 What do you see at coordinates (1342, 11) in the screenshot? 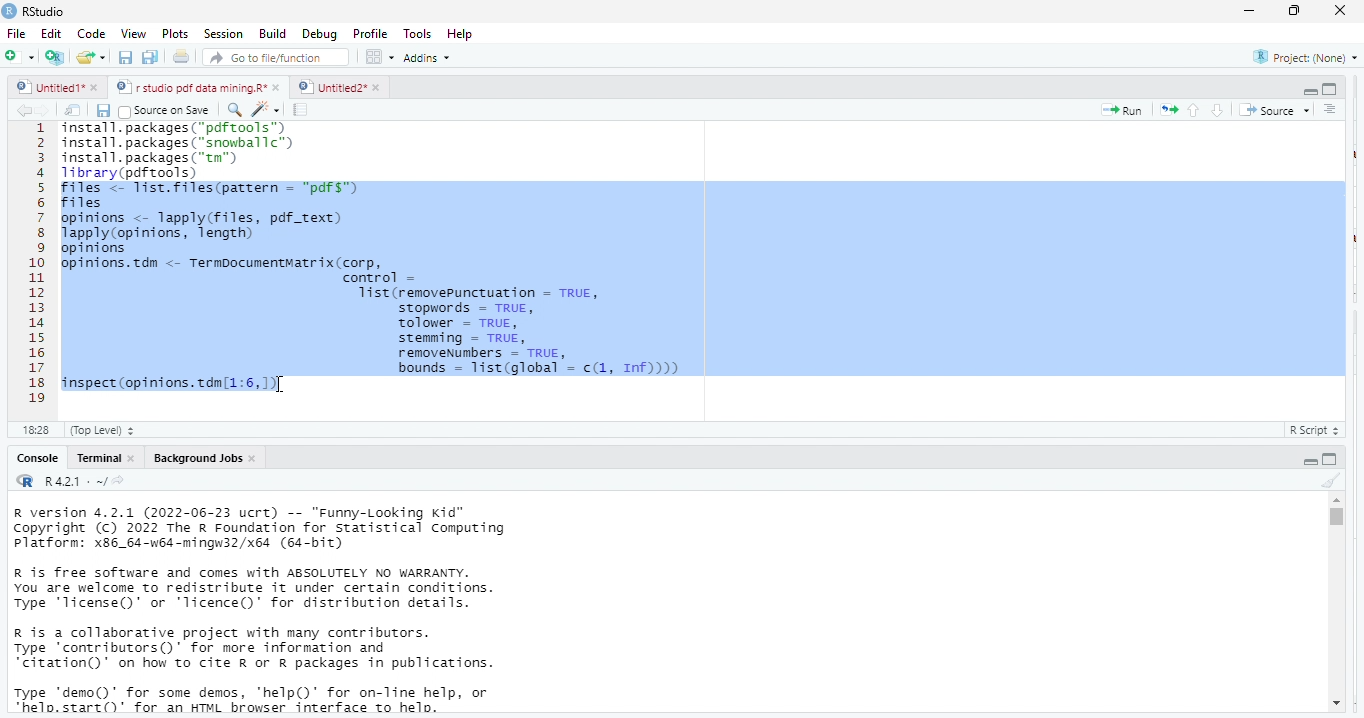
I see `close` at bounding box center [1342, 11].